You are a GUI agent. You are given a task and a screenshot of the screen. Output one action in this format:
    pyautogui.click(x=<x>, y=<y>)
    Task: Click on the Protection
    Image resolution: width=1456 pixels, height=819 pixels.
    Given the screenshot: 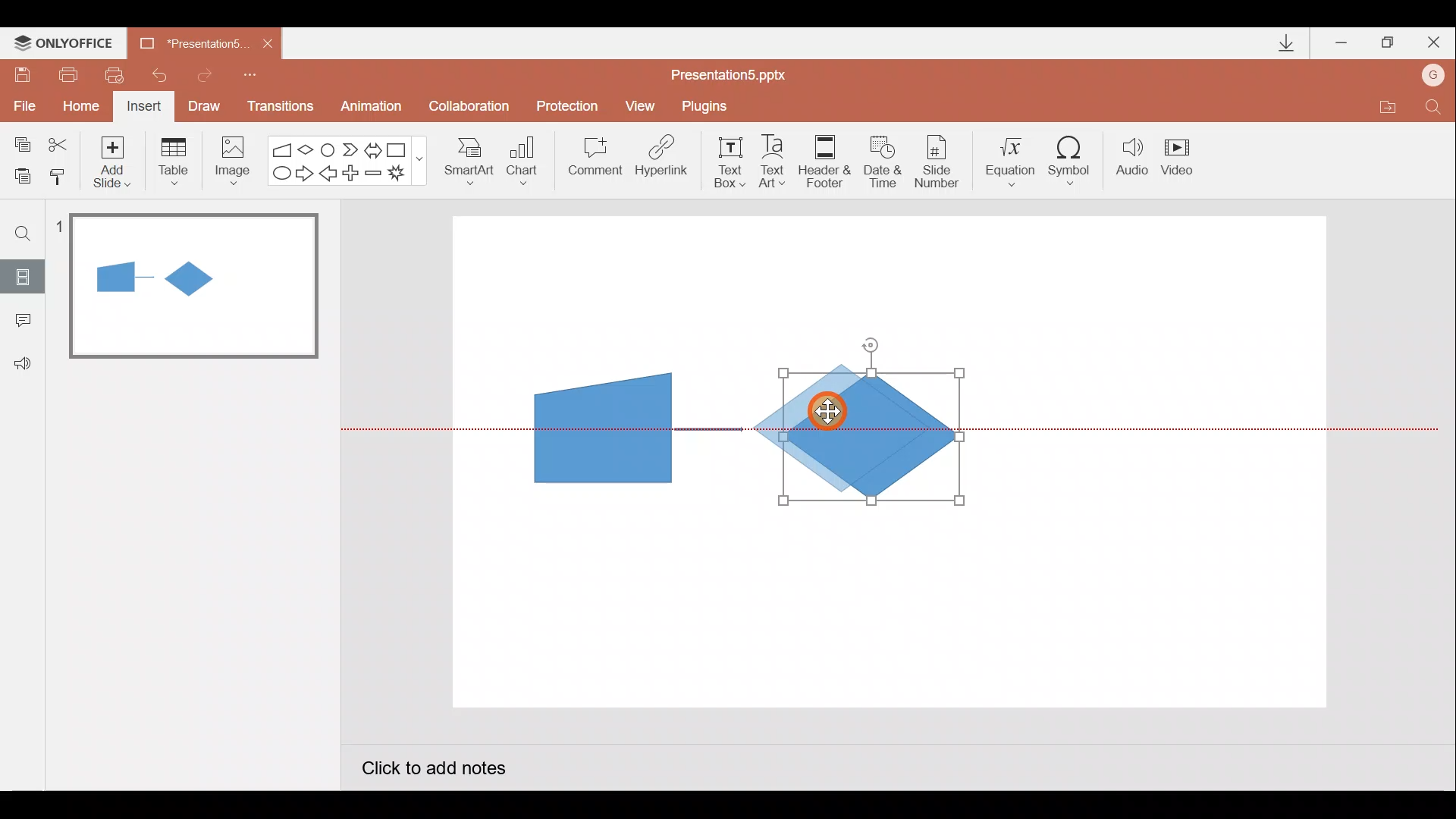 What is the action you would take?
    pyautogui.click(x=572, y=105)
    